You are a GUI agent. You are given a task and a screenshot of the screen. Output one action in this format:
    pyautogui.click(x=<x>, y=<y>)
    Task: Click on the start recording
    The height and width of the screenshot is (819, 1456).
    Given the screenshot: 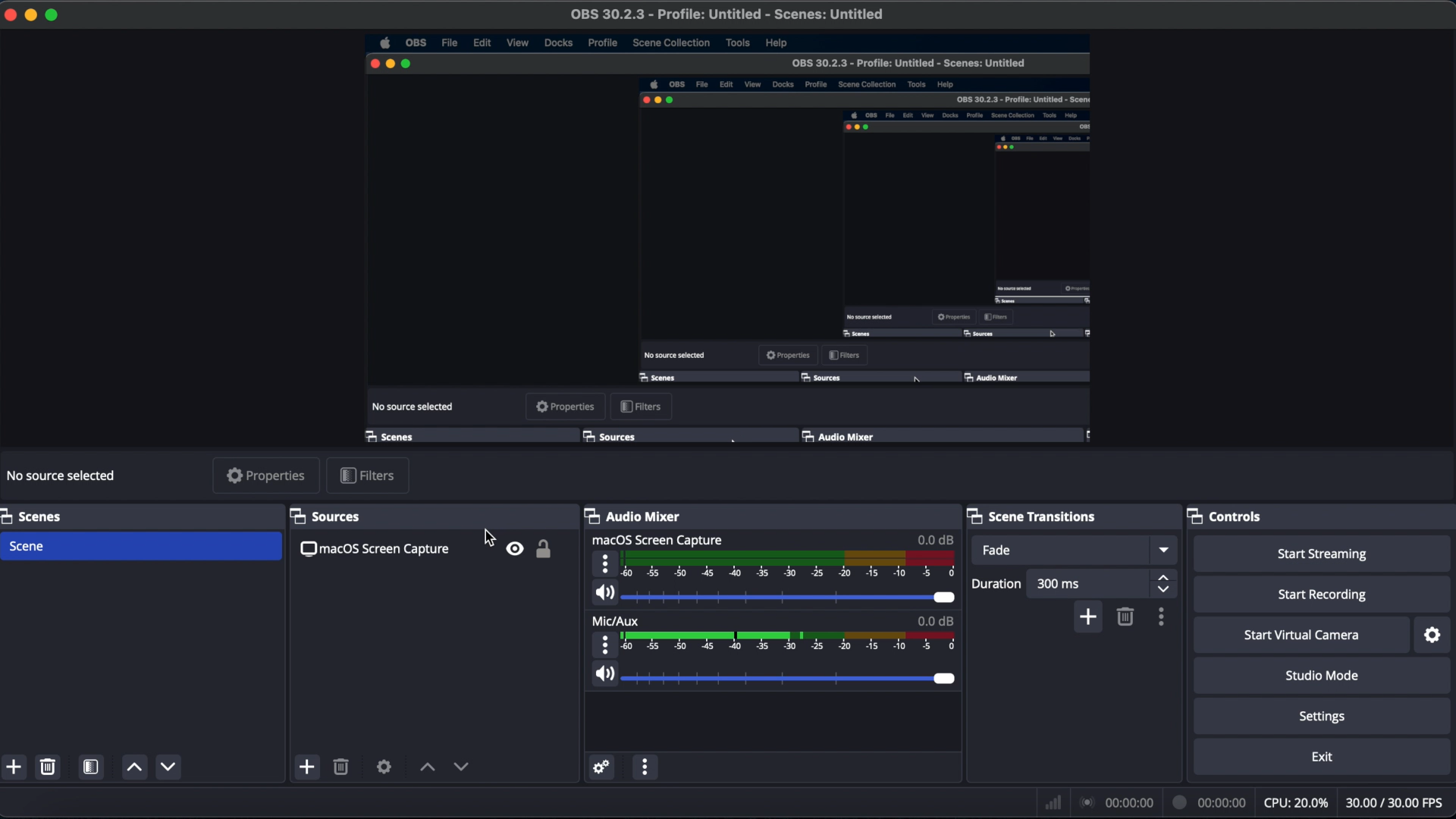 What is the action you would take?
    pyautogui.click(x=1326, y=595)
    